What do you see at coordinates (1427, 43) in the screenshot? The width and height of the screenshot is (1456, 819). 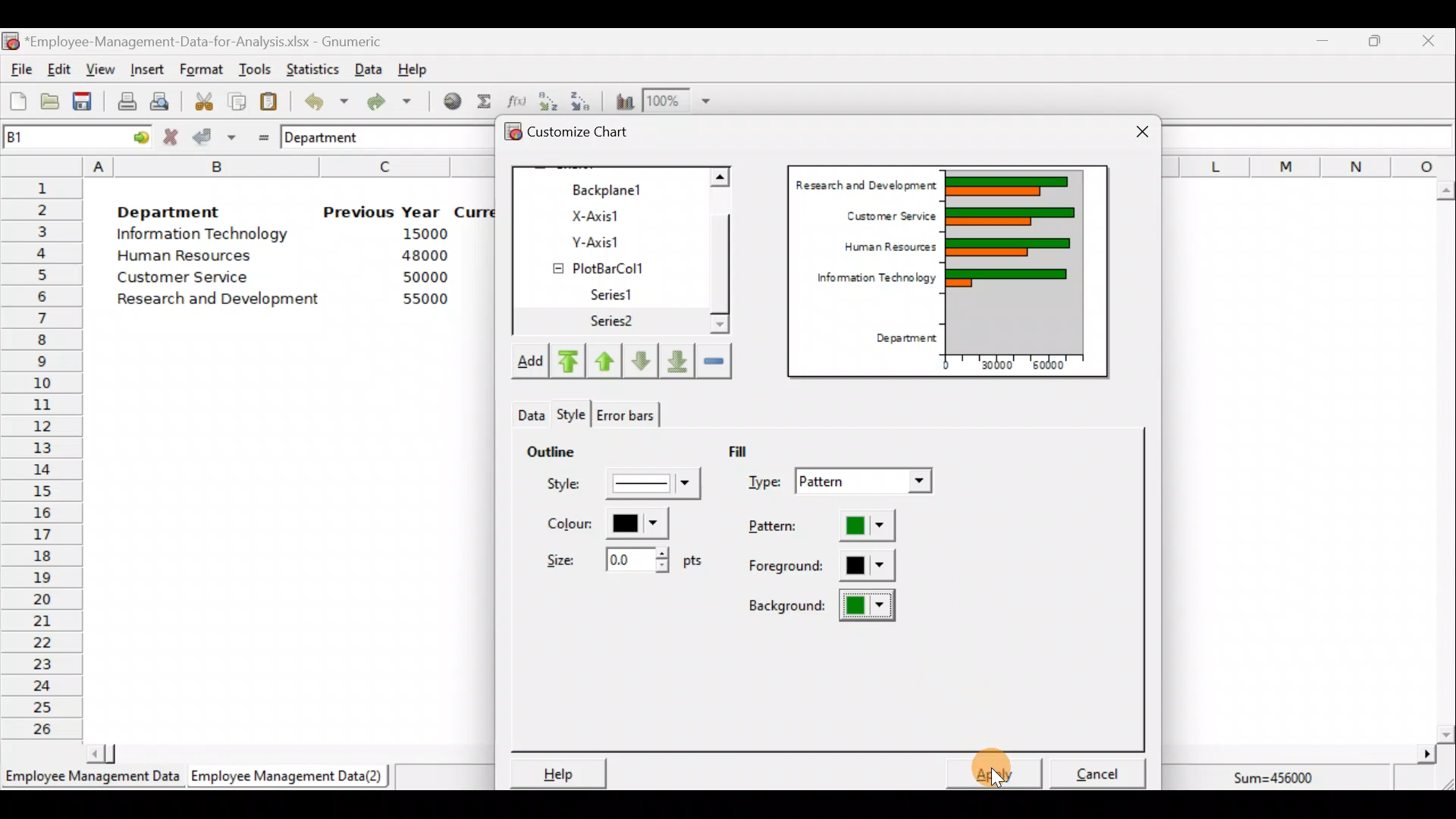 I see `Close` at bounding box center [1427, 43].